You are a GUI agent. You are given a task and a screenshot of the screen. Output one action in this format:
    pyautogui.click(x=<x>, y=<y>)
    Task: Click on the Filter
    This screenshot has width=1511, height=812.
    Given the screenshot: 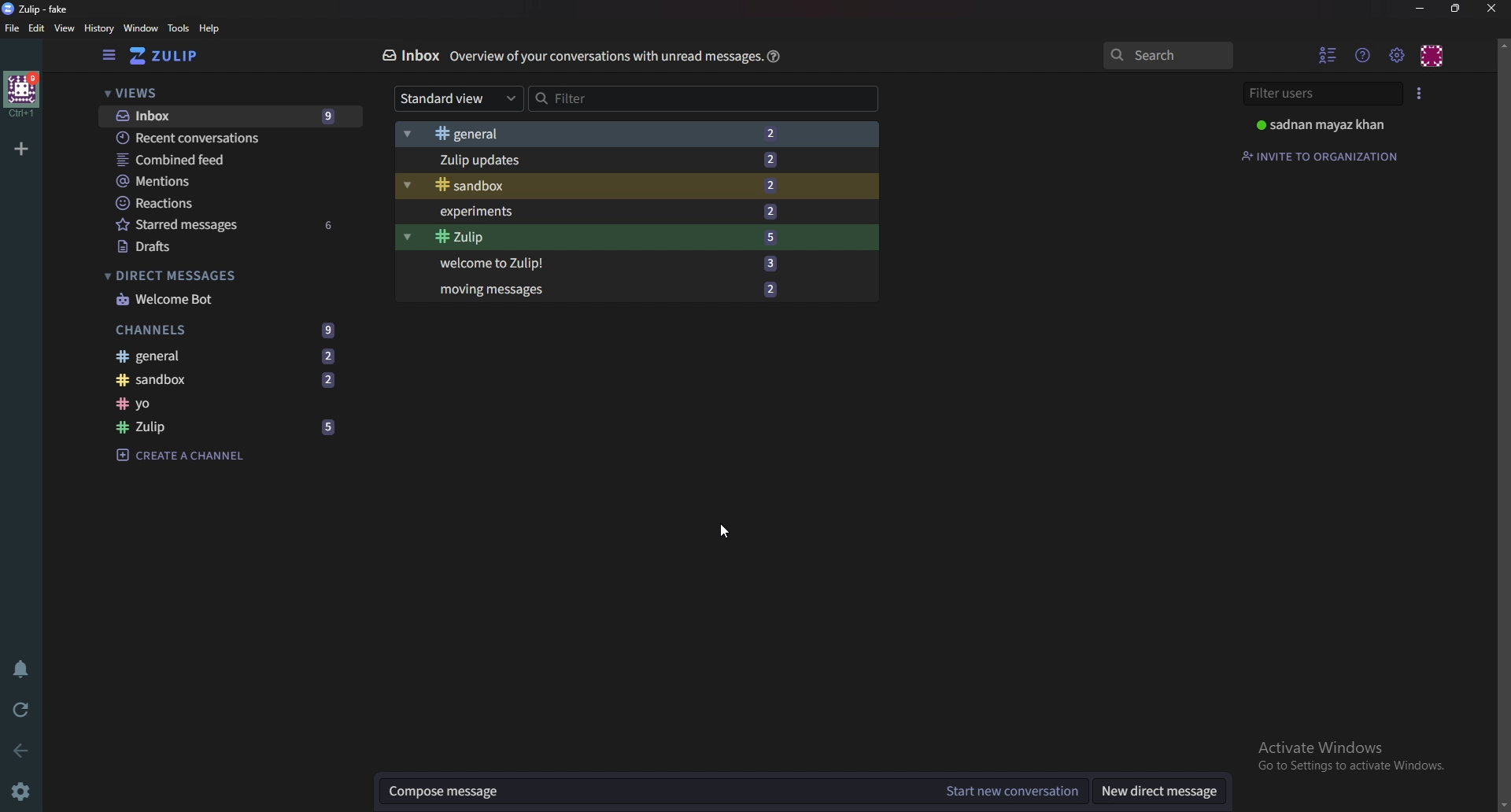 What is the action you would take?
    pyautogui.click(x=646, y=98)
    